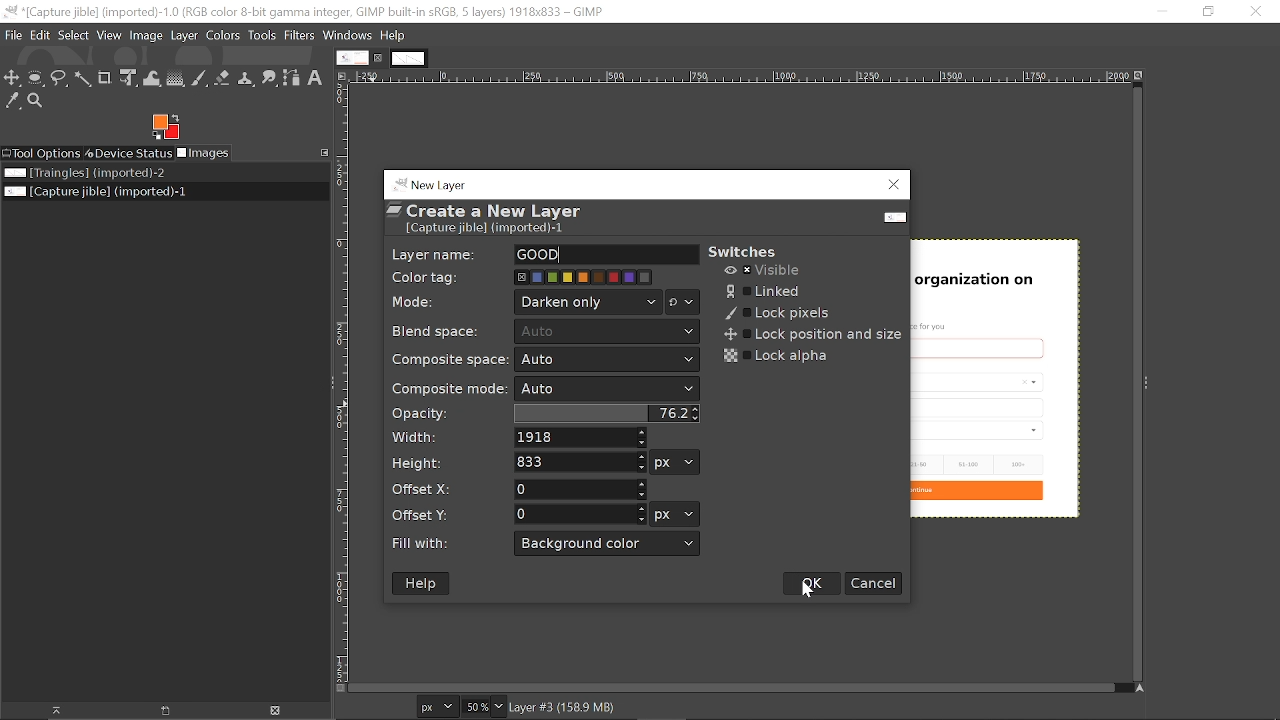  What do you see at coordinates (774, 356) in the screenshot?
I see `Lock alpha` at bounding box center [774, 356].